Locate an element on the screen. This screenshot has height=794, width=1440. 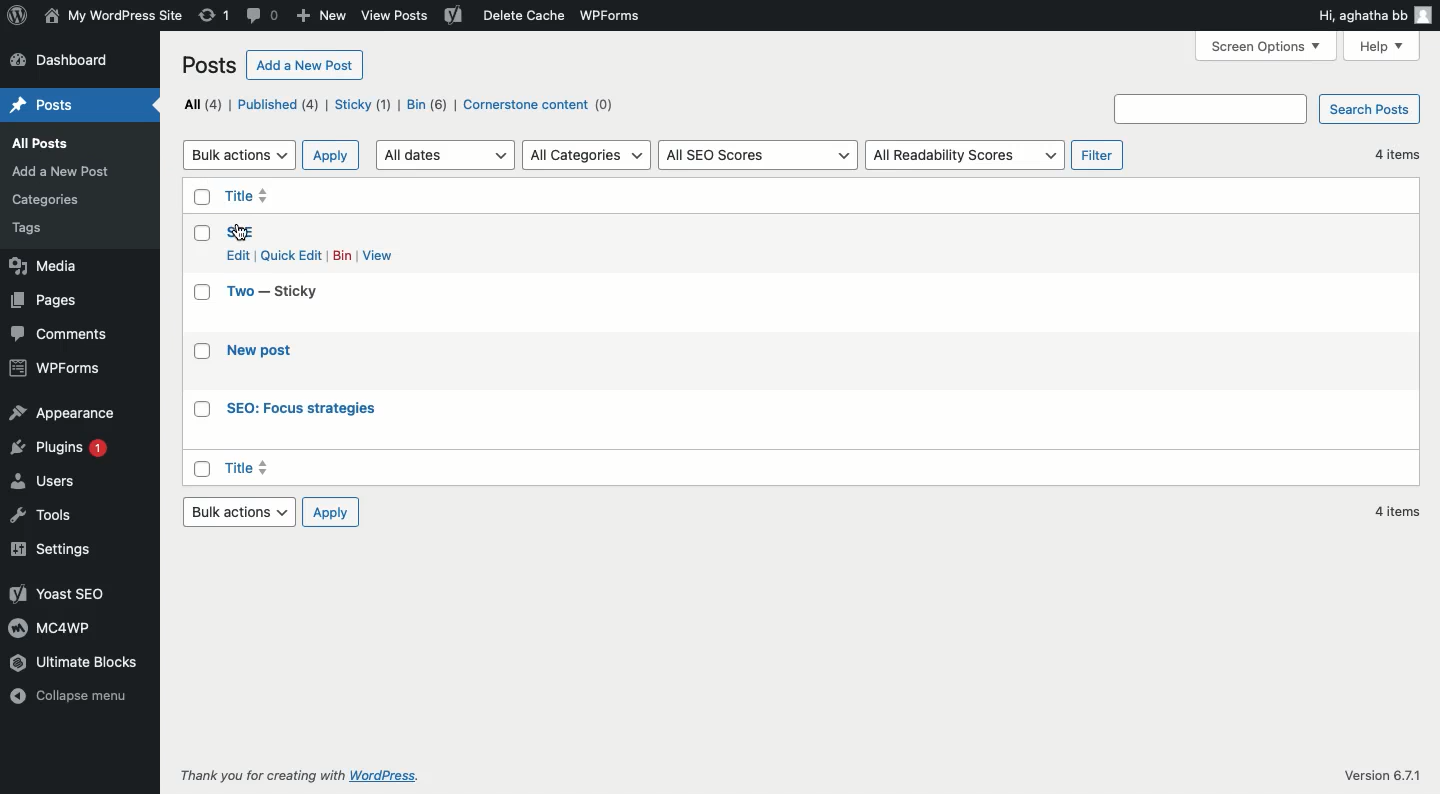
Posts is located at coordinates (210, 65).